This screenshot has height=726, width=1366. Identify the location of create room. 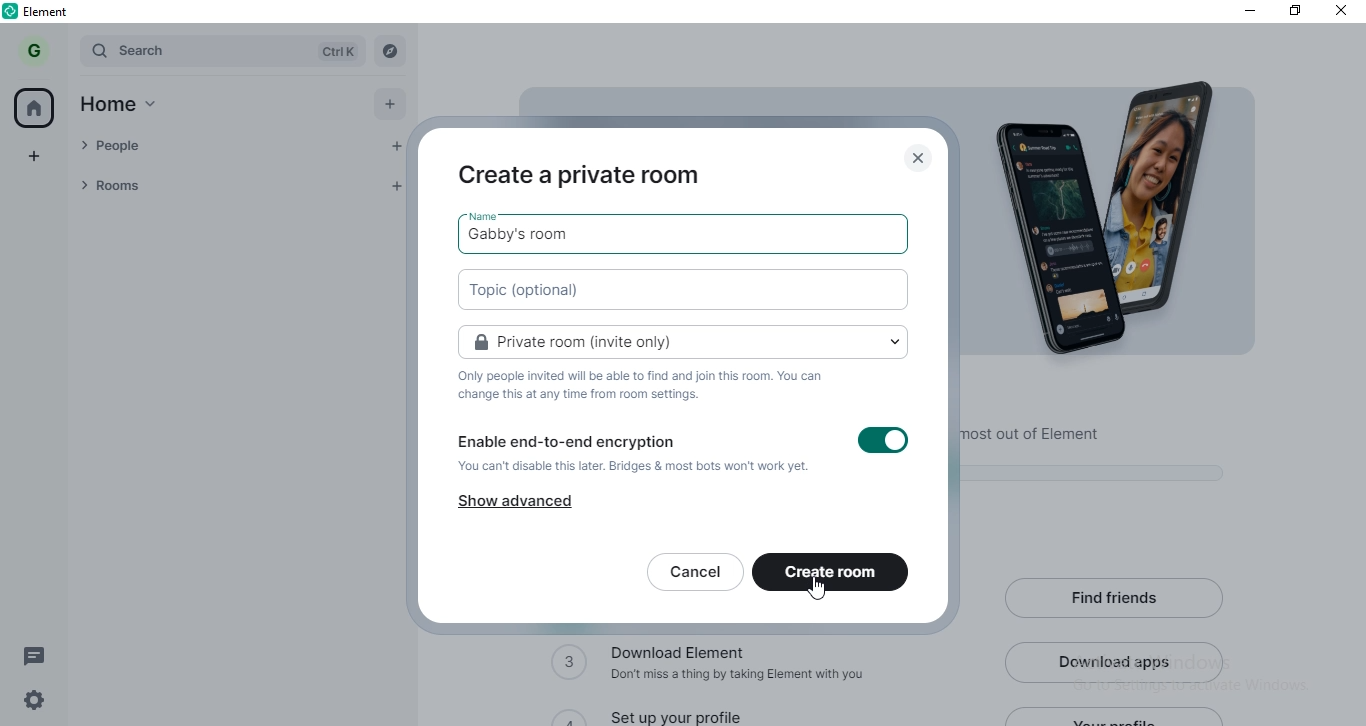
(834, 561).